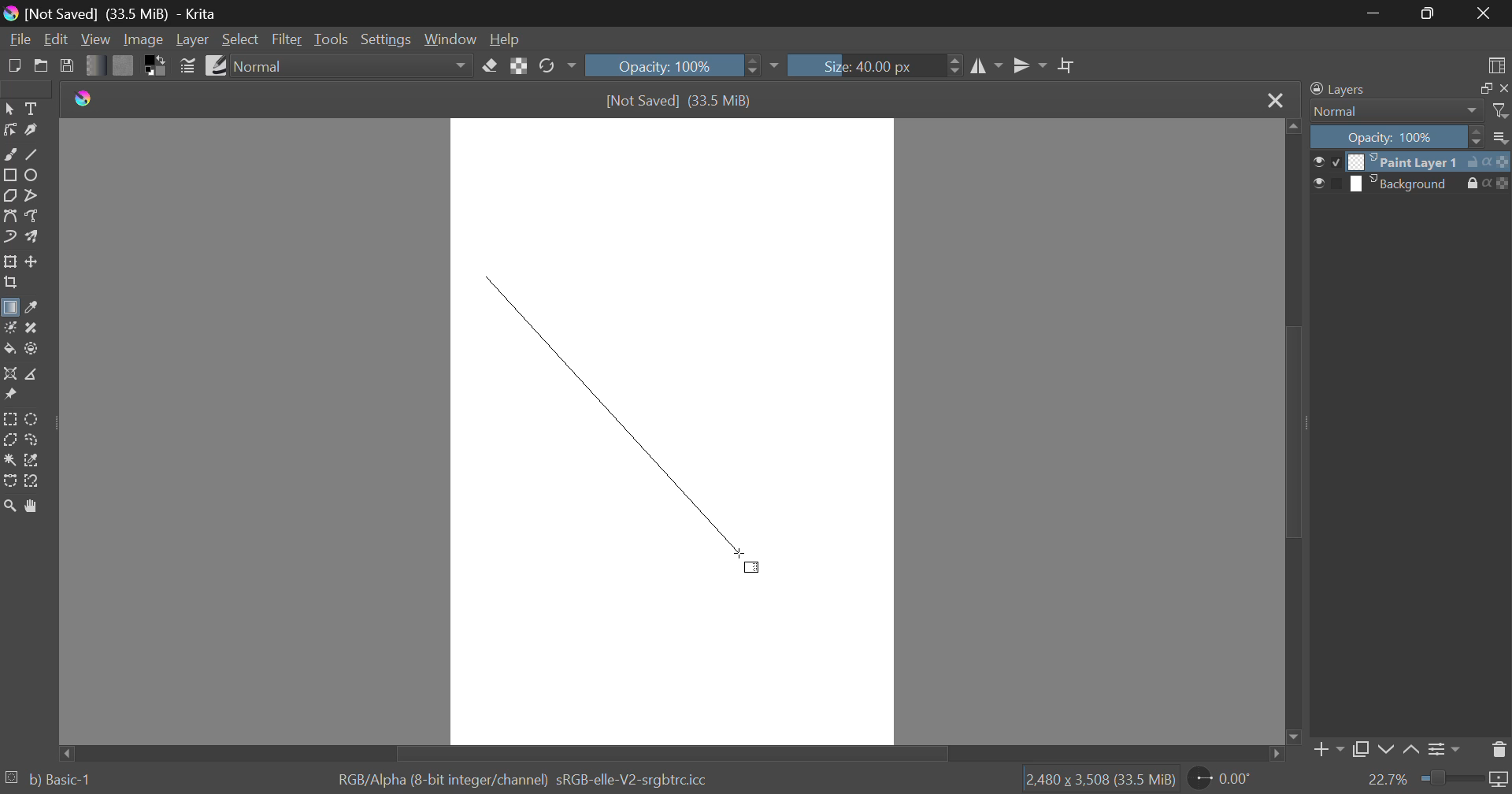  What do you see at coordinates (1503, 88) in the screenshot?
I see `close` at bounding box center [1503, 88].